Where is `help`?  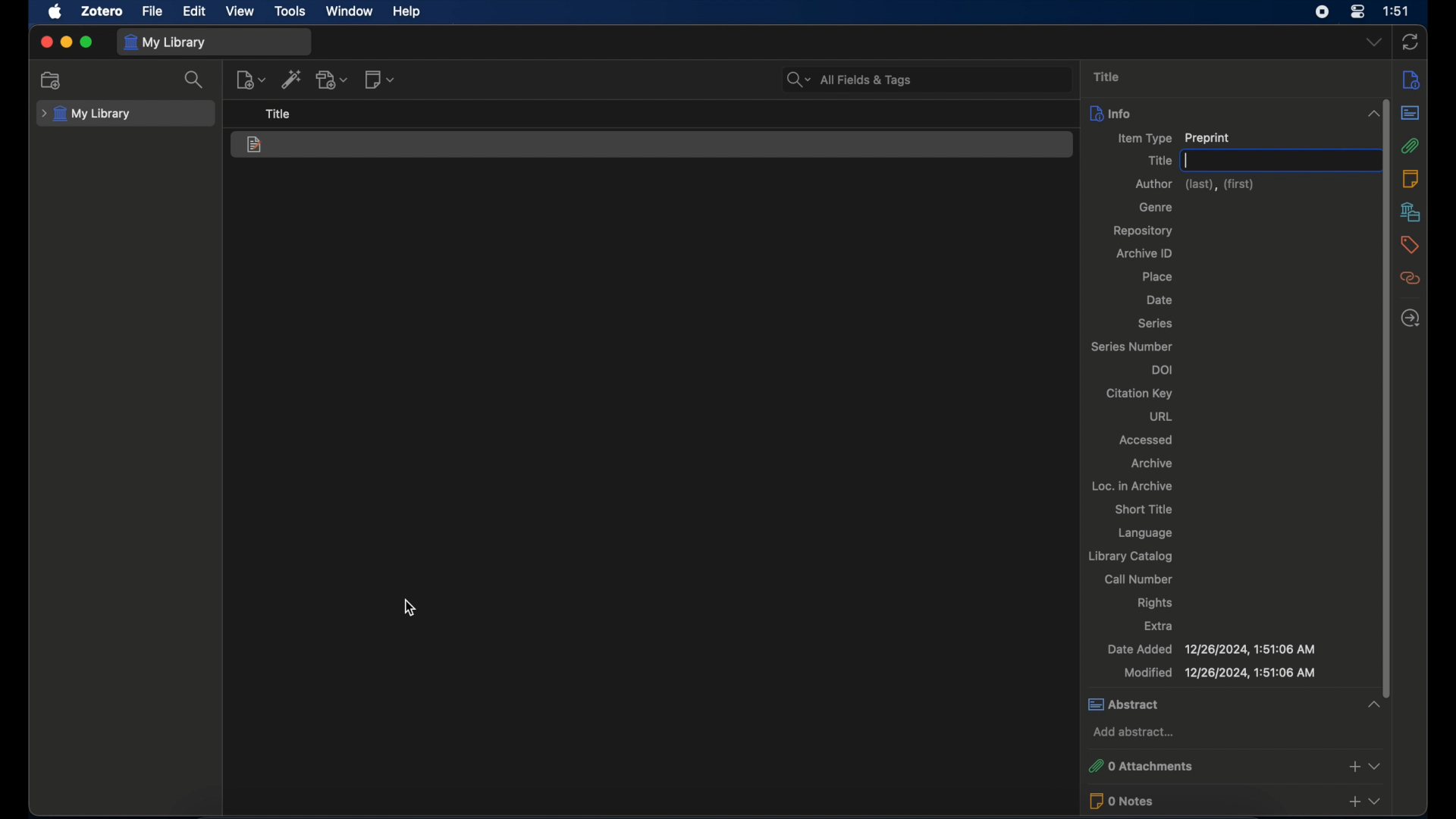 help is located at coordinates (408, 12).